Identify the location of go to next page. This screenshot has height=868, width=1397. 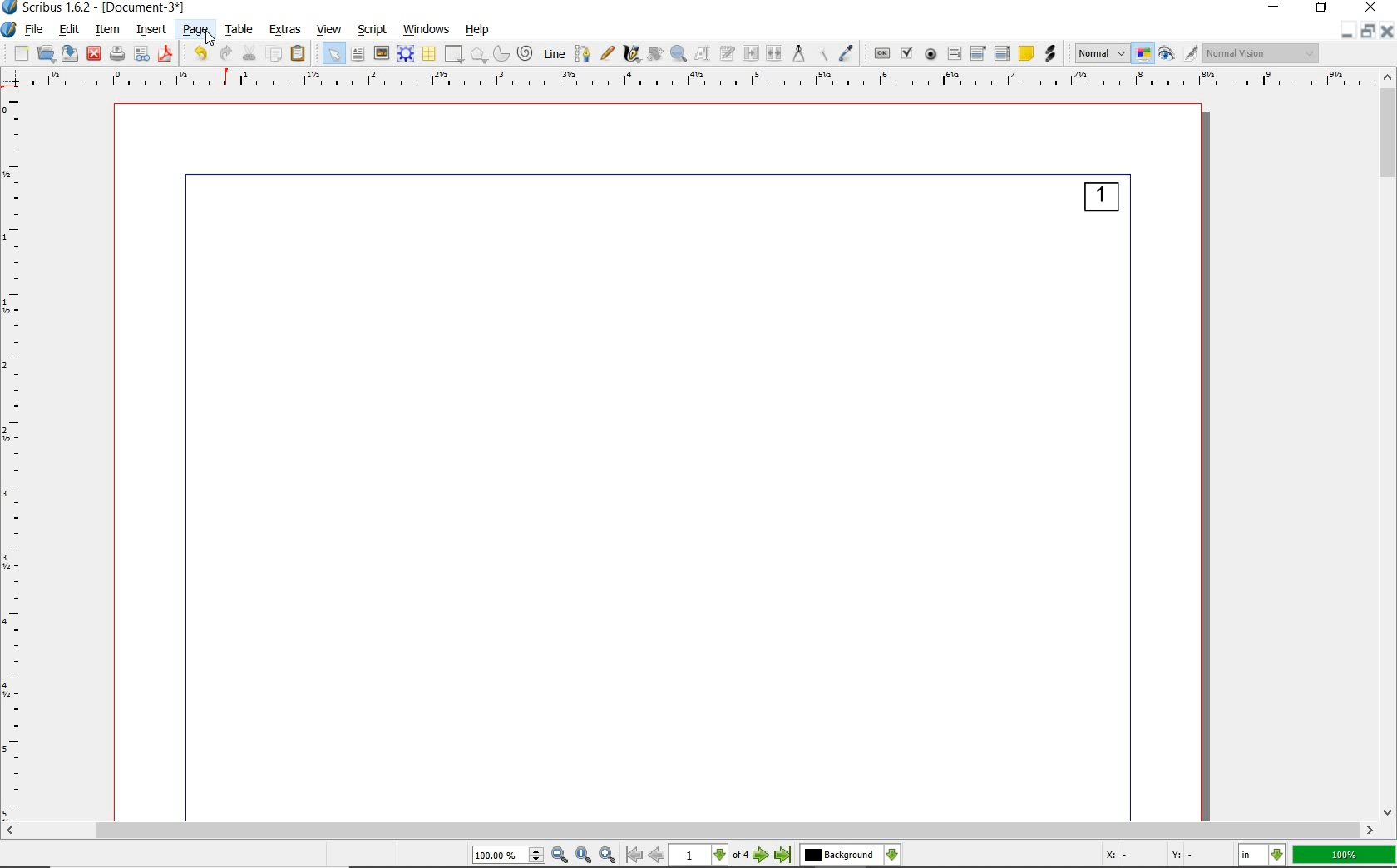
(762, 856).